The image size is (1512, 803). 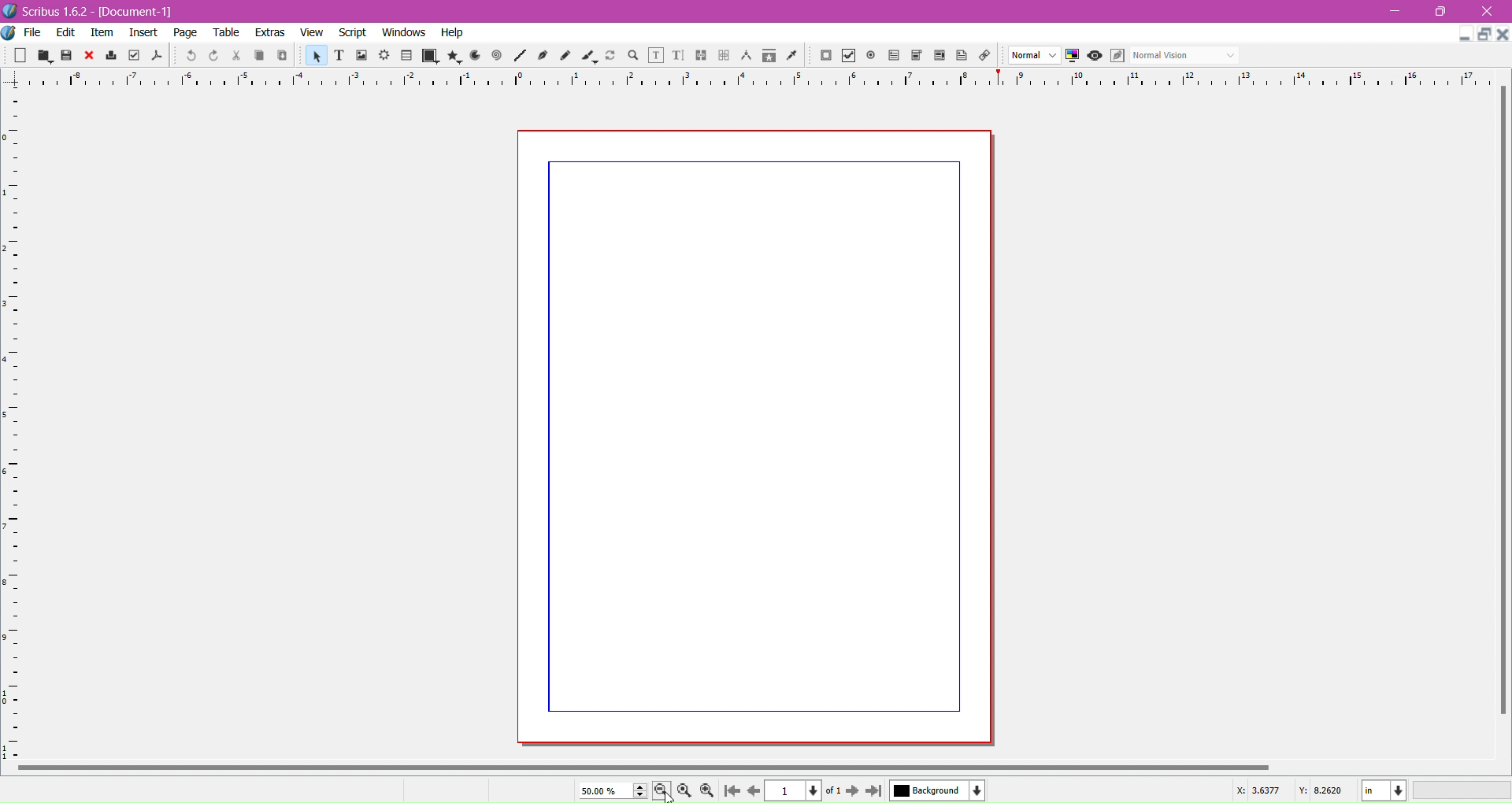 I want to click on Redo, so click(x=214, y=54).